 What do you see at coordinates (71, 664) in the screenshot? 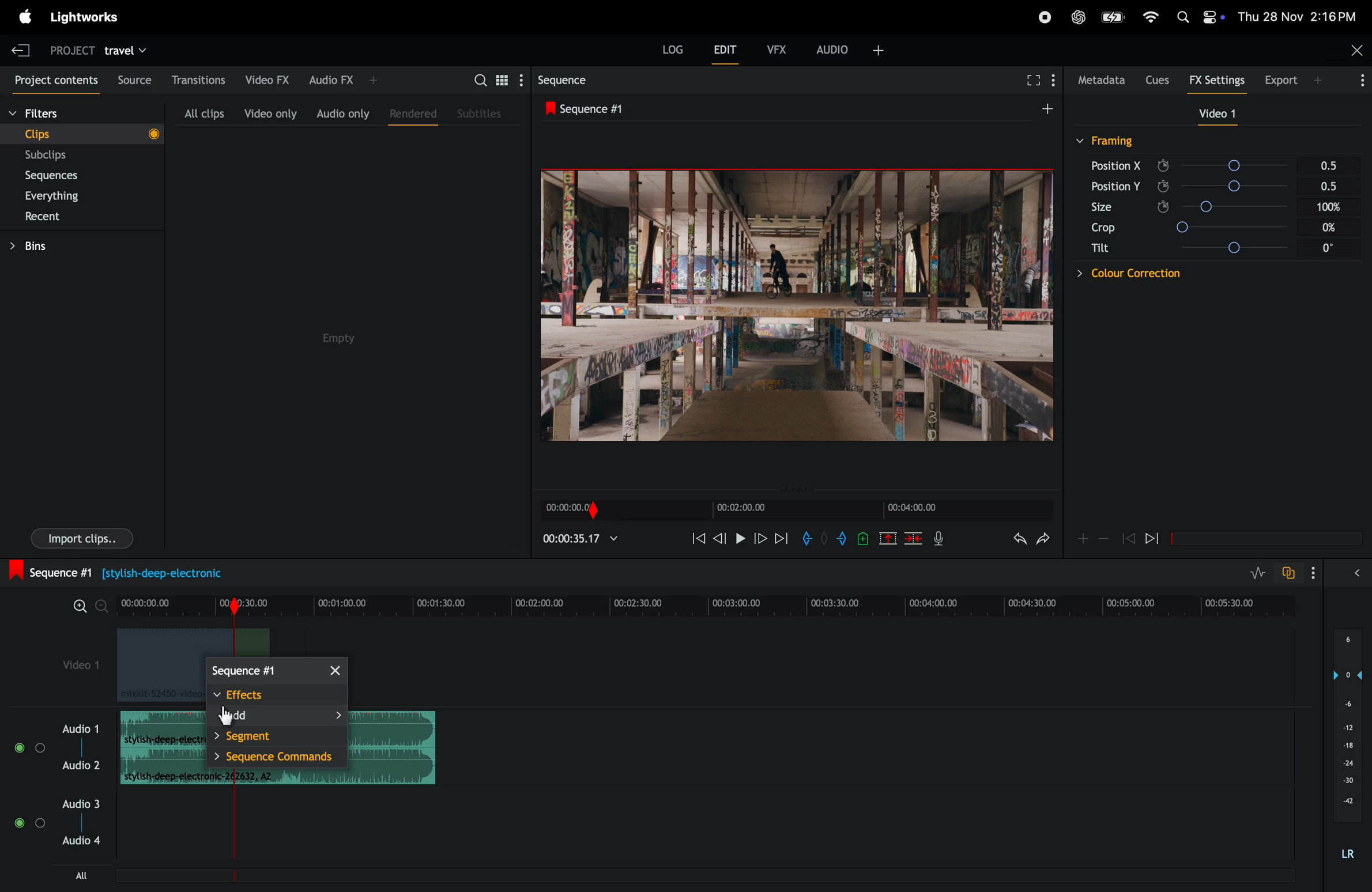
I see `video1` at bounding box center [71, 664].